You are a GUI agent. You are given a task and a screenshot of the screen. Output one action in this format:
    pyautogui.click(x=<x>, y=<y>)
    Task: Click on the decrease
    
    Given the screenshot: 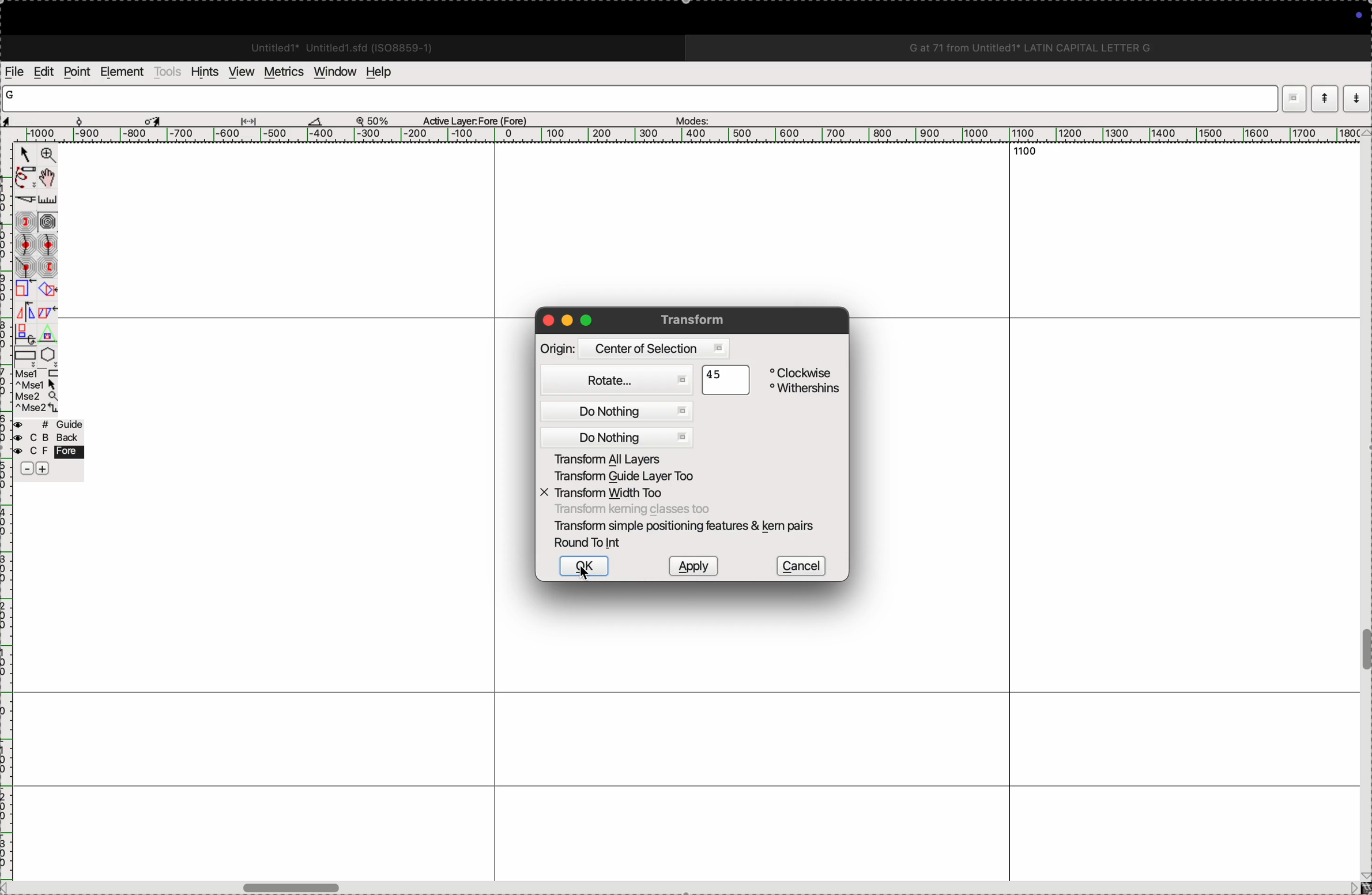 What is the action you would take?
    pyautogui.click(x=27, y=468)
    